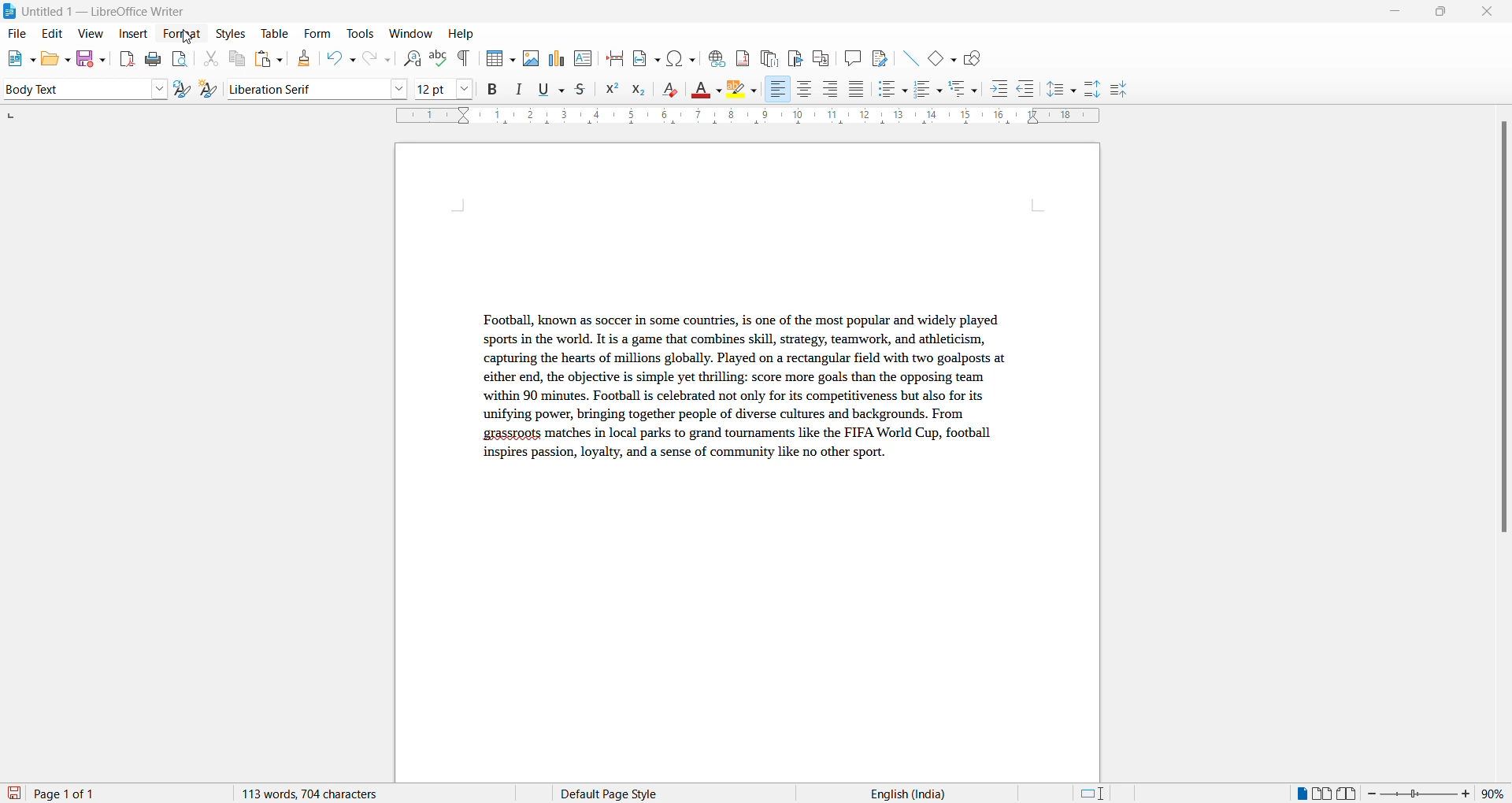 The width and height of the screenshot is (1512, 803). What do you see at coordinates (17, 60) in the screenshot?
I see `new file options` at bounding box center [17, 60].